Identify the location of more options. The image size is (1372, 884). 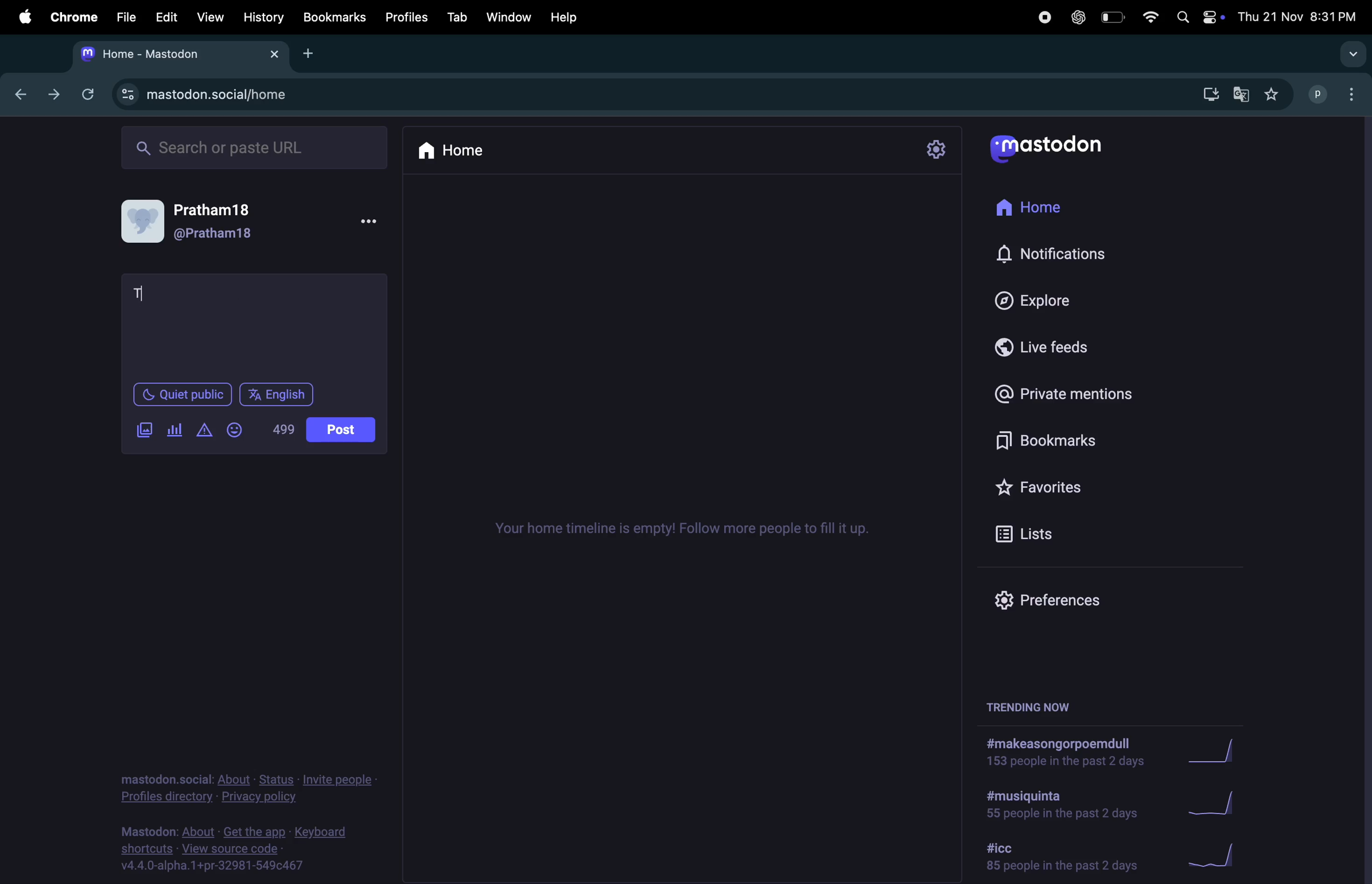
(370, 223).